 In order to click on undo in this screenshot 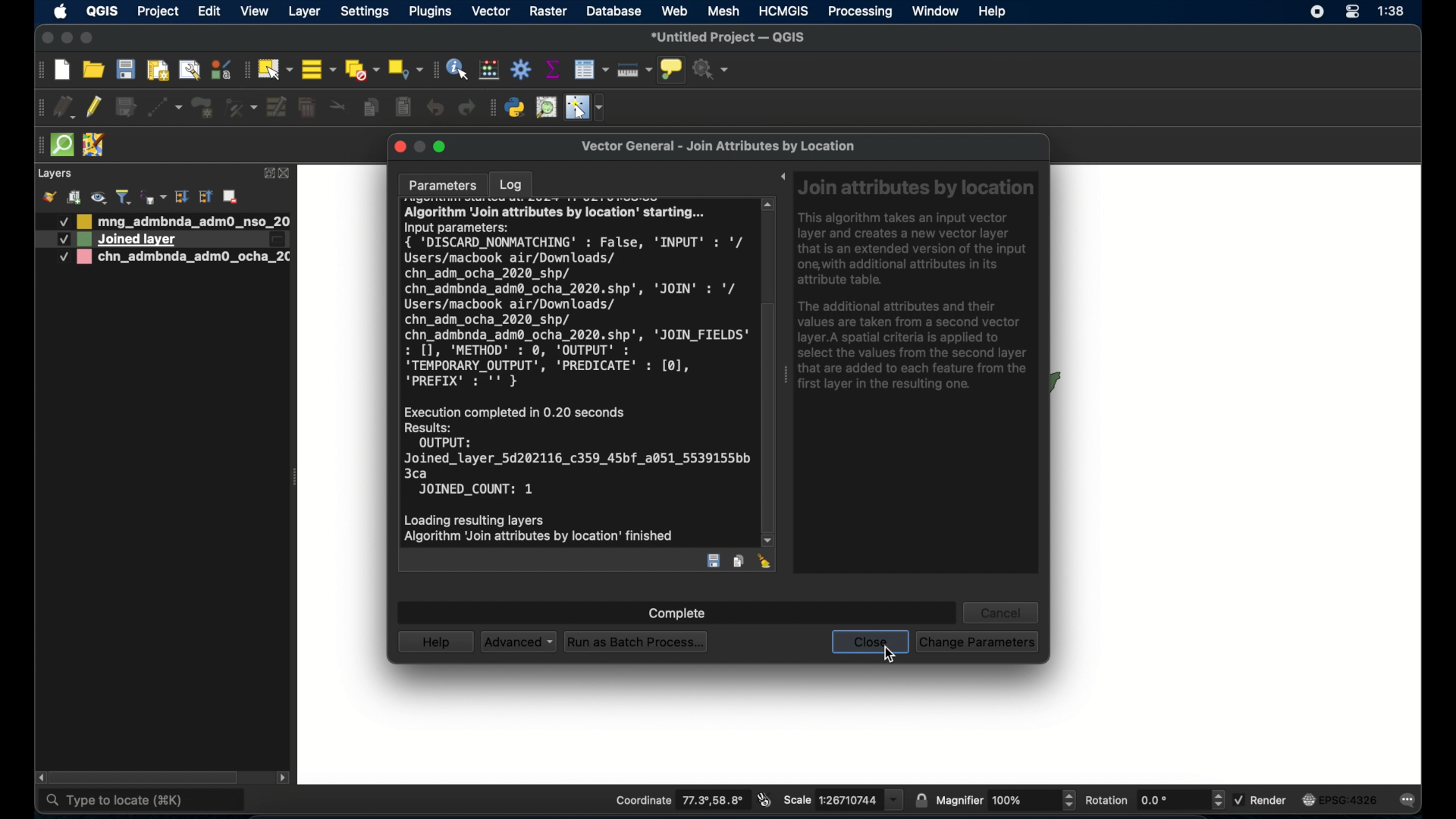, I will do `click(435, 108)`.